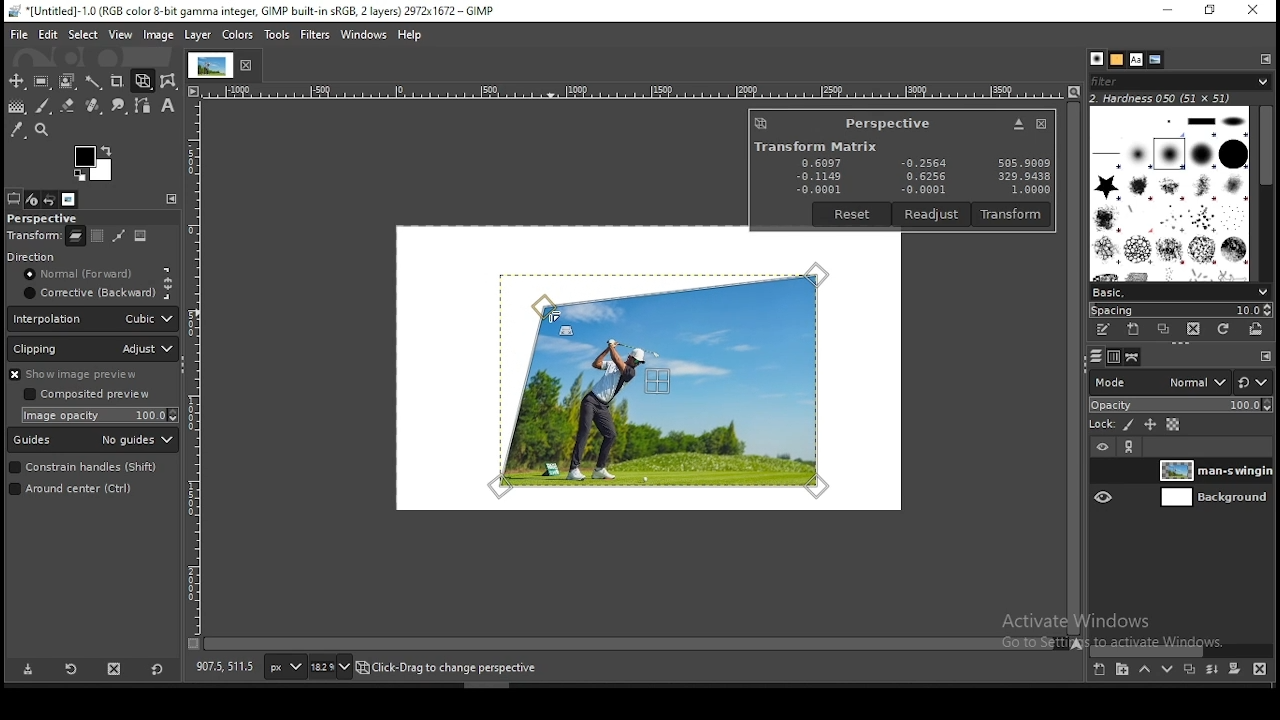 This screenshot has height=720, width=1280. Describe the element at coordinates (1028, 190) in the screenshot. I see `1.000` at that location.